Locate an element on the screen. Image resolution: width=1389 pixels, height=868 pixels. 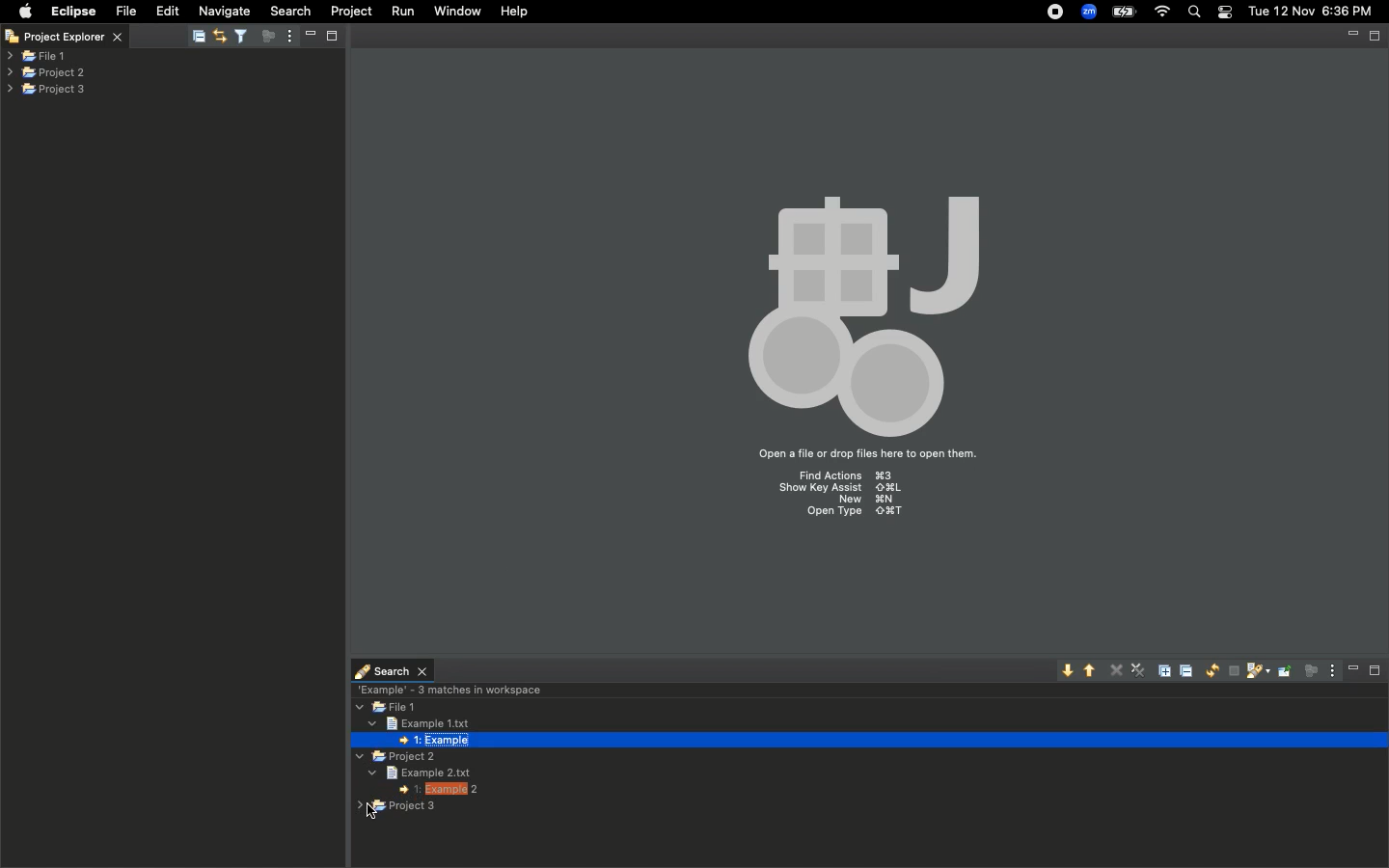
1 example is located at coordinates (437, 742).